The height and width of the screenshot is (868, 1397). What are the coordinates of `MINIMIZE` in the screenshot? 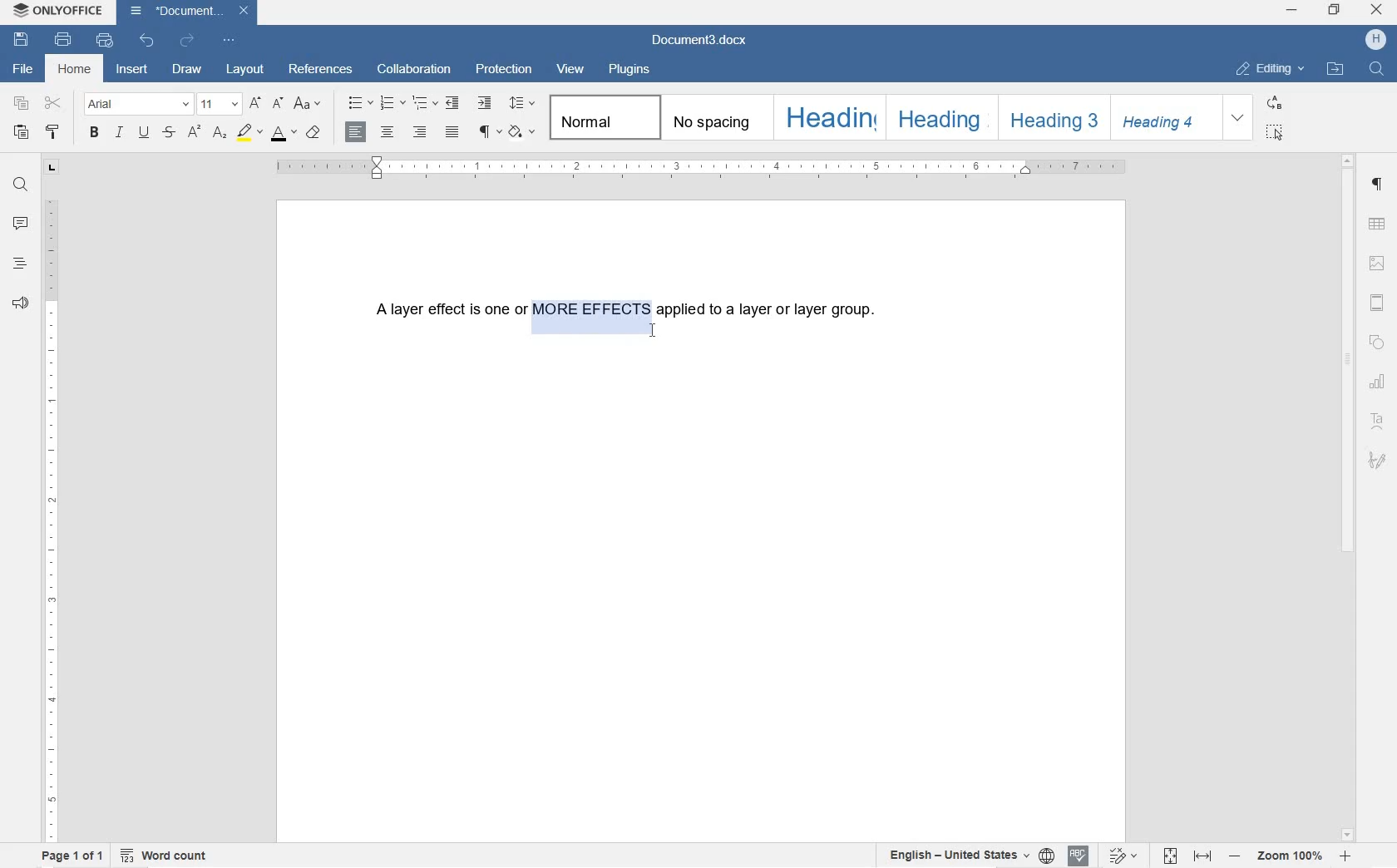 It's located at (1294, 11).